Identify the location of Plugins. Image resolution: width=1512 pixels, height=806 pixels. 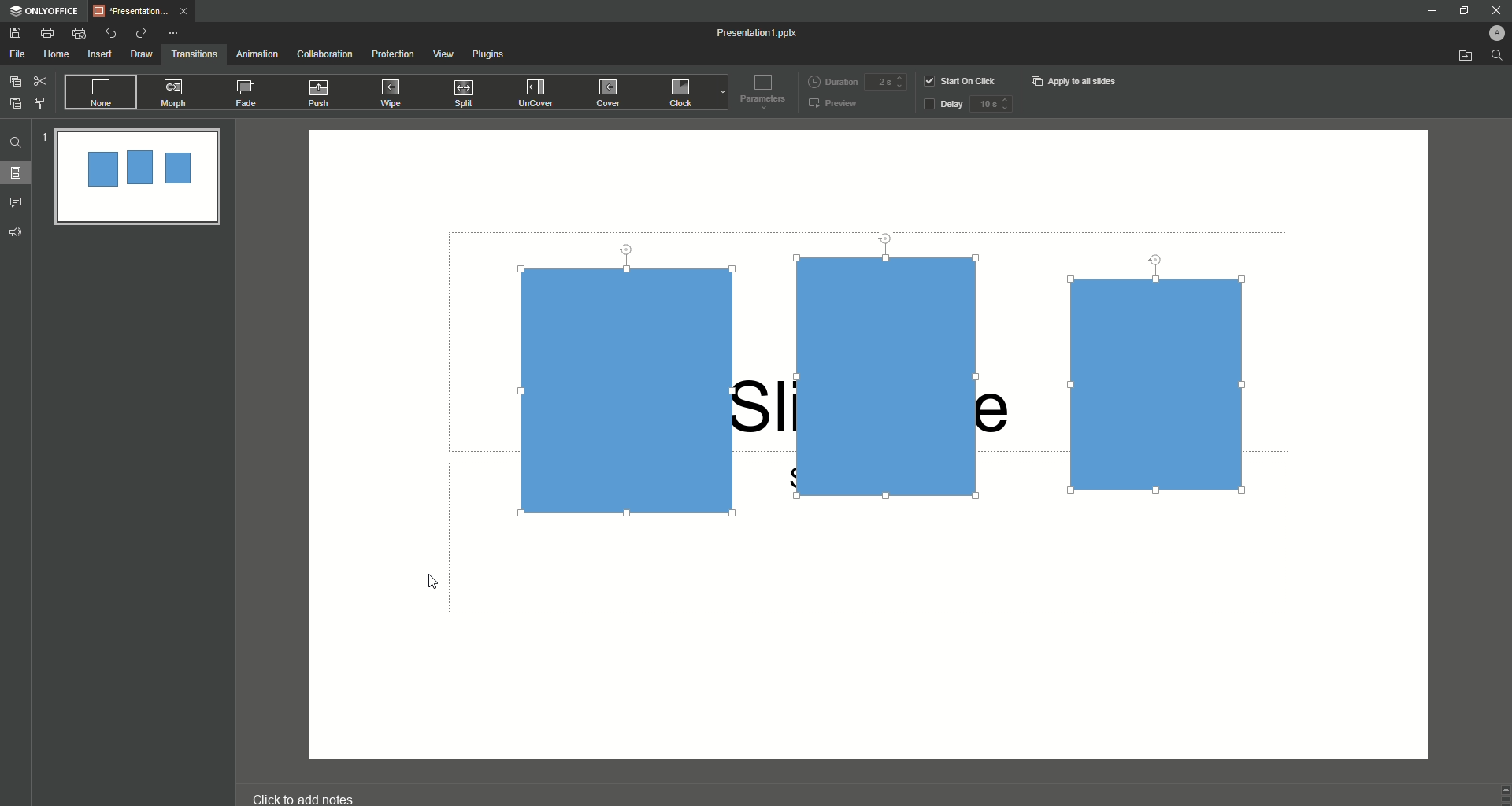
(491, 57).